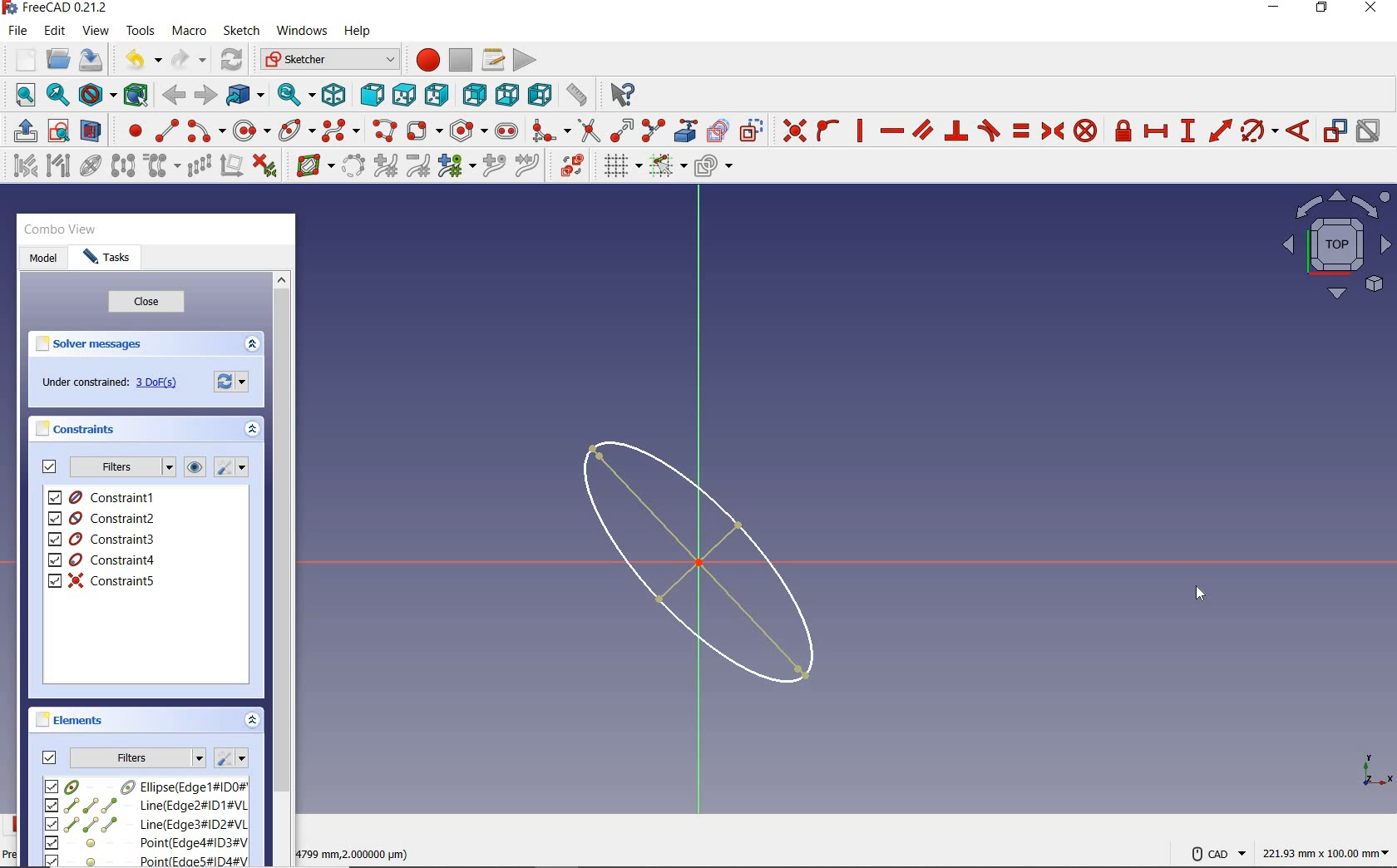 Image resolution: width=1397 pixels, height=868 pixels. Describe the element at coordinates (684, 131) in the screenshot. I see `create external geometry` at that location.